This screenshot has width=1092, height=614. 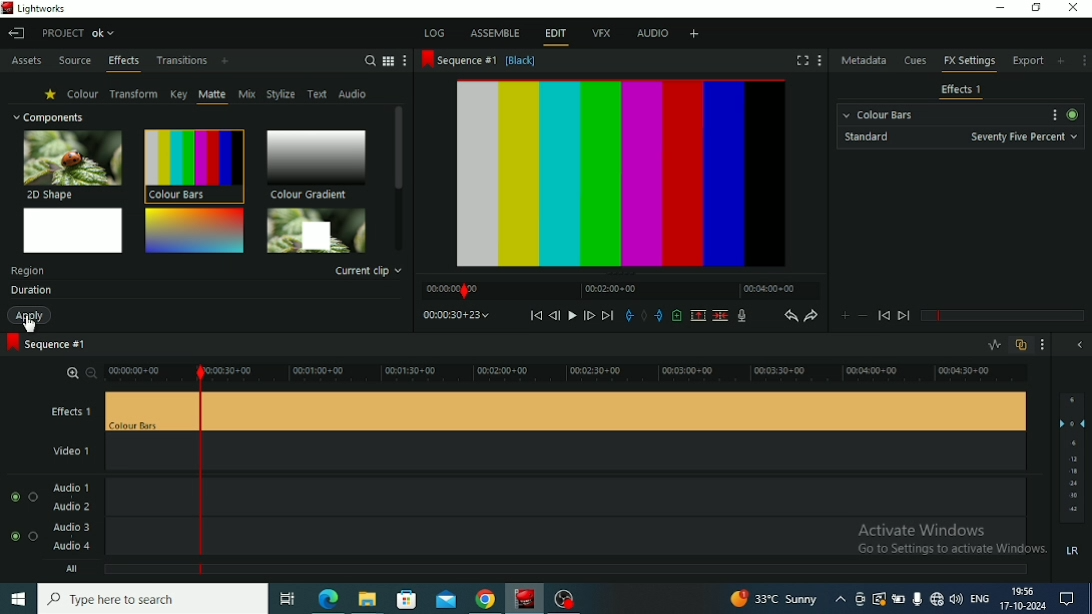 I want to click on Video 1, so click(x=627, y=453).